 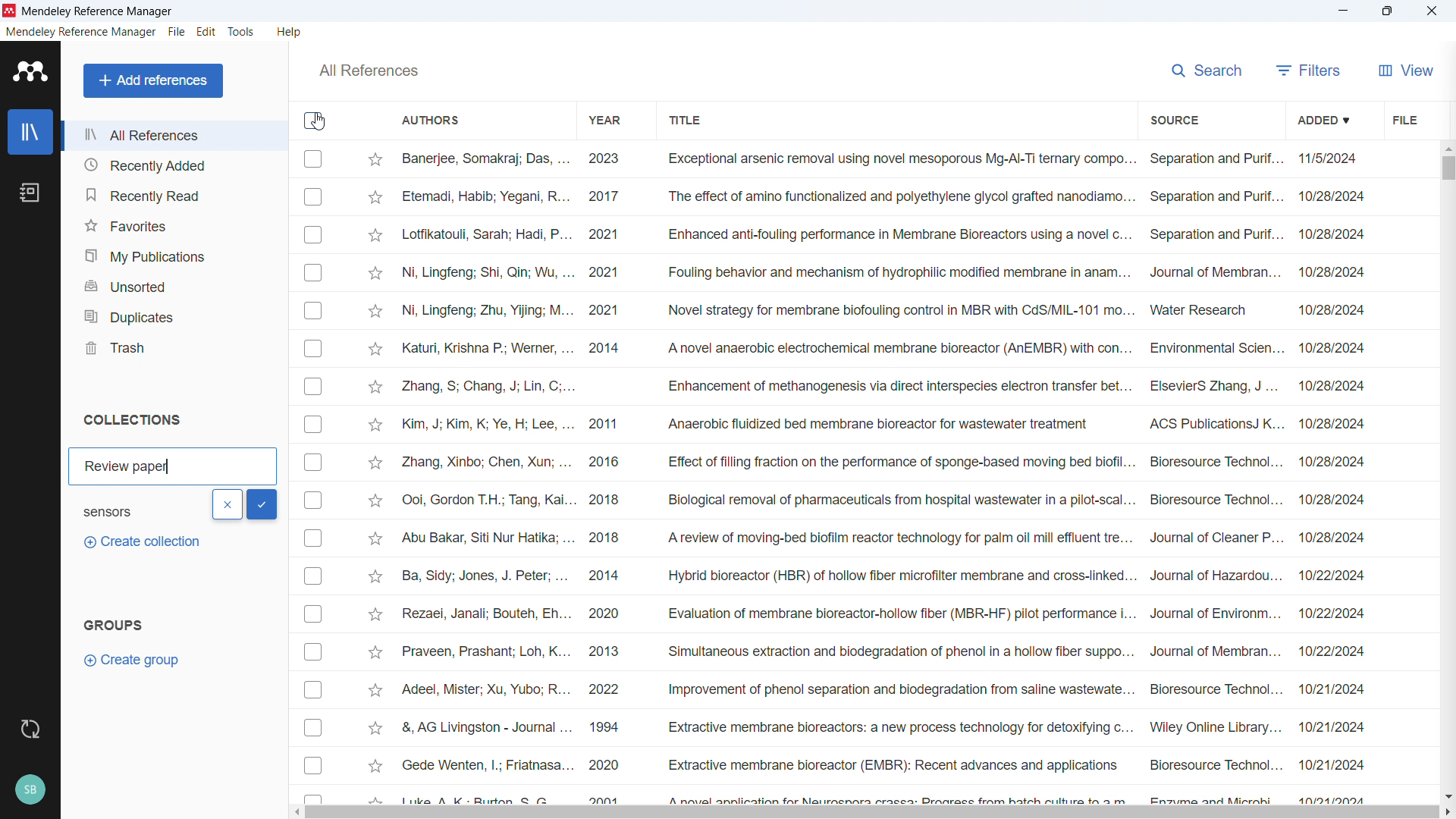 What do you see at coordinates (375, 766) in the screenshot?
I see `Star mark respective publication` at bounding box center [375, 766].